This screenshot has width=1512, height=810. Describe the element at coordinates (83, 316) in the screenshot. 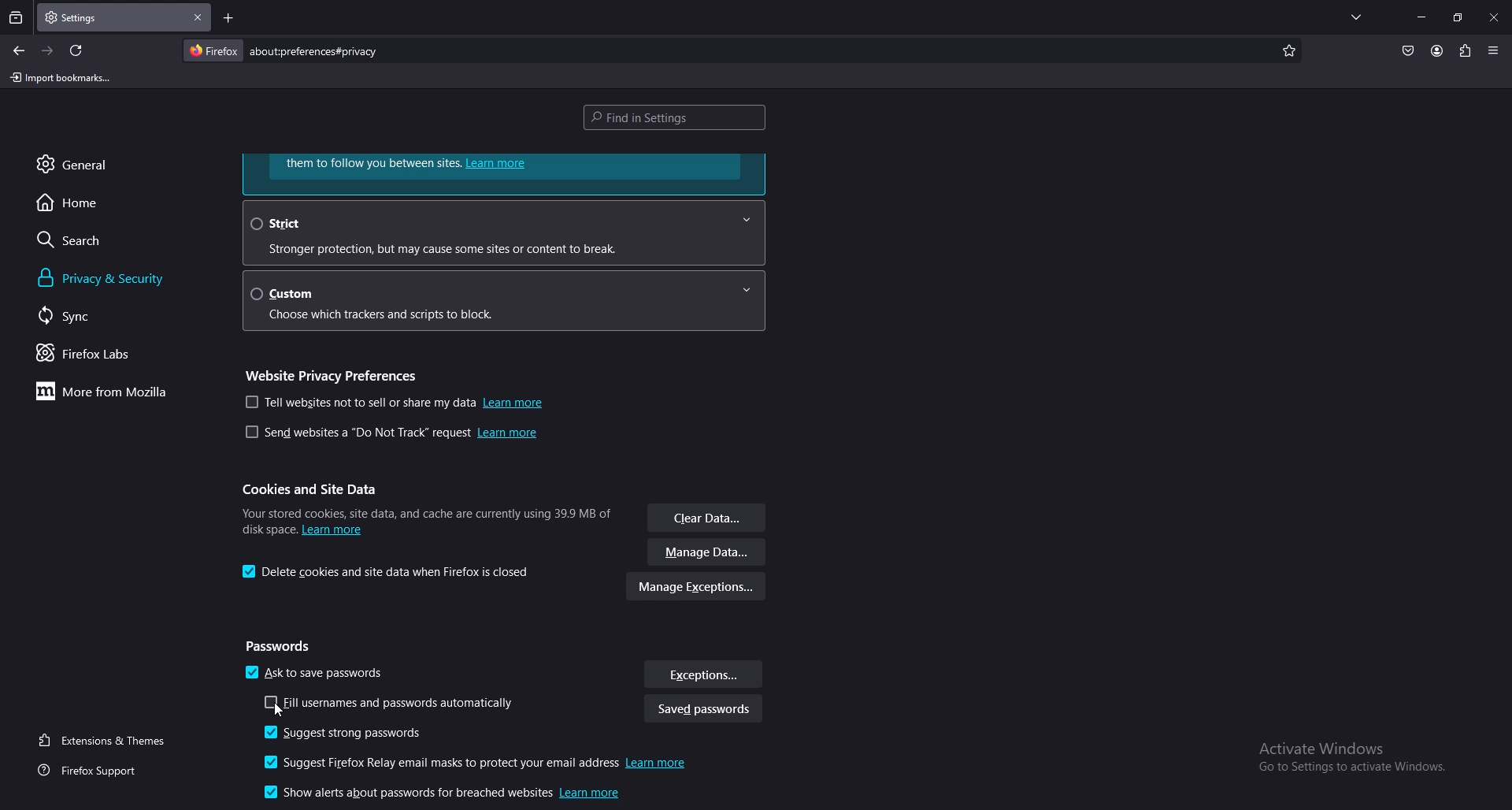

I see `sync` at that location.